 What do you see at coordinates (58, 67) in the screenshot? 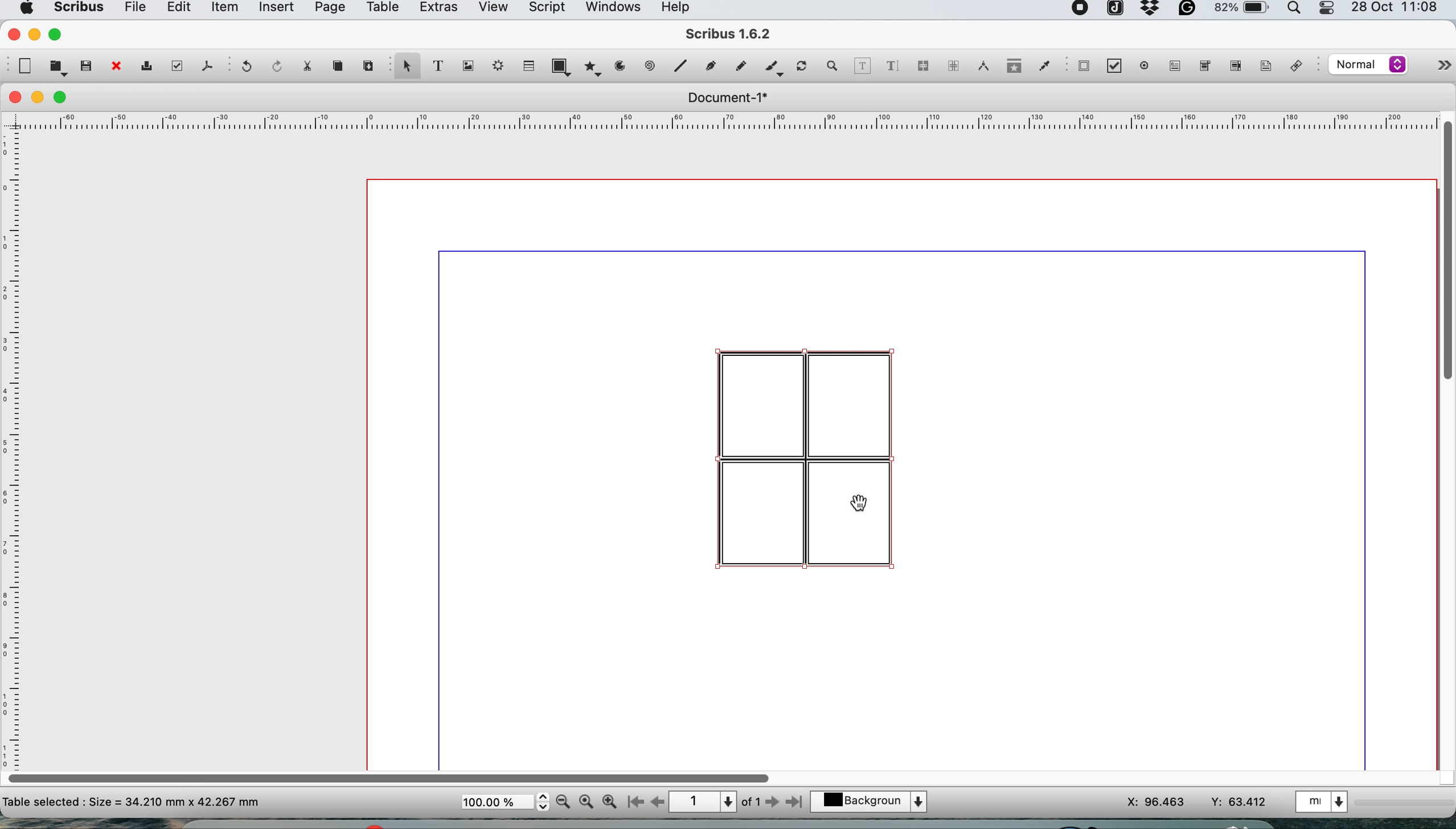
I see `open` at bounding box center [58, 67].